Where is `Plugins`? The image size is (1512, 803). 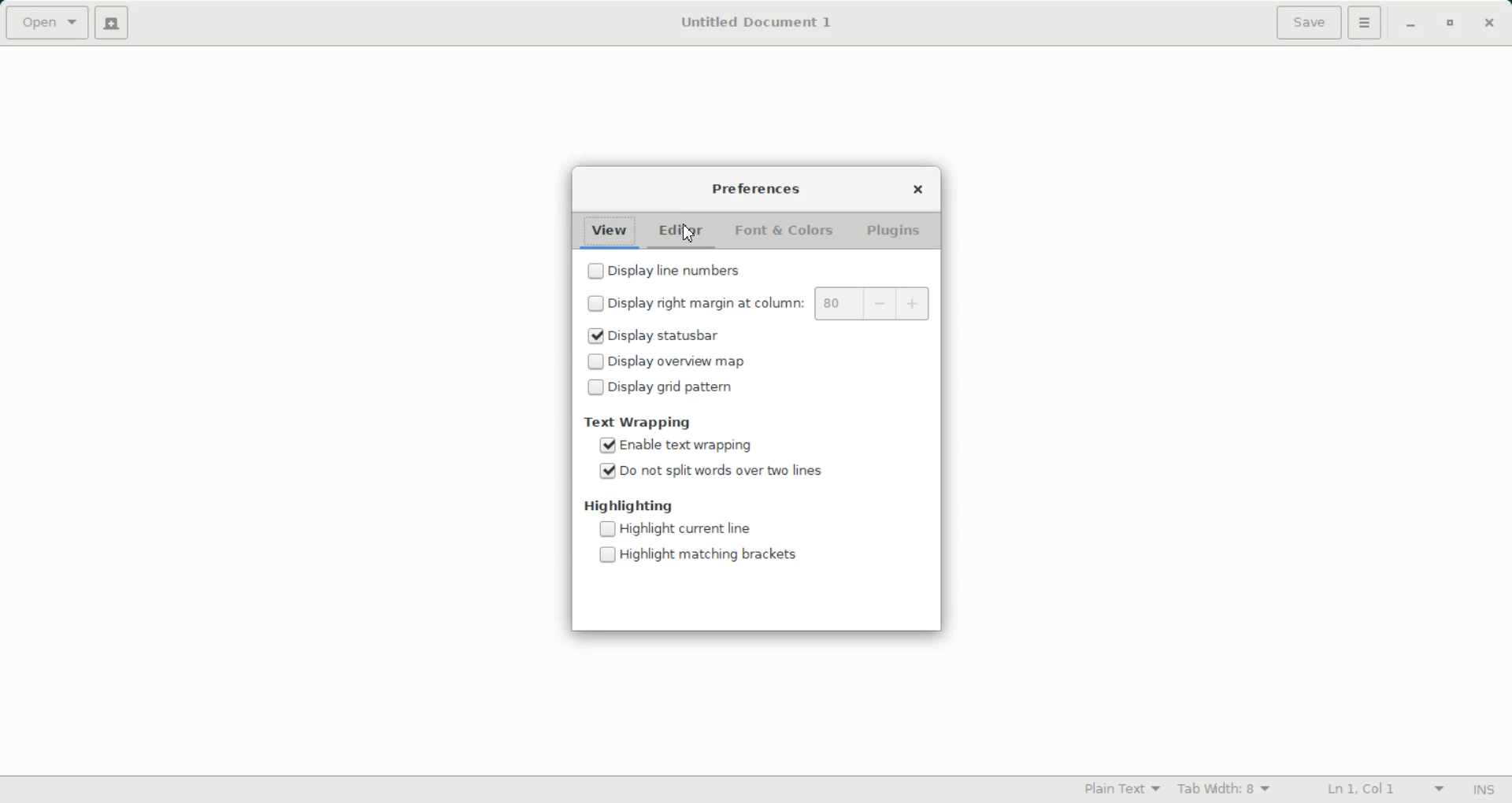 Plugins is located at coordinates (895, 232).